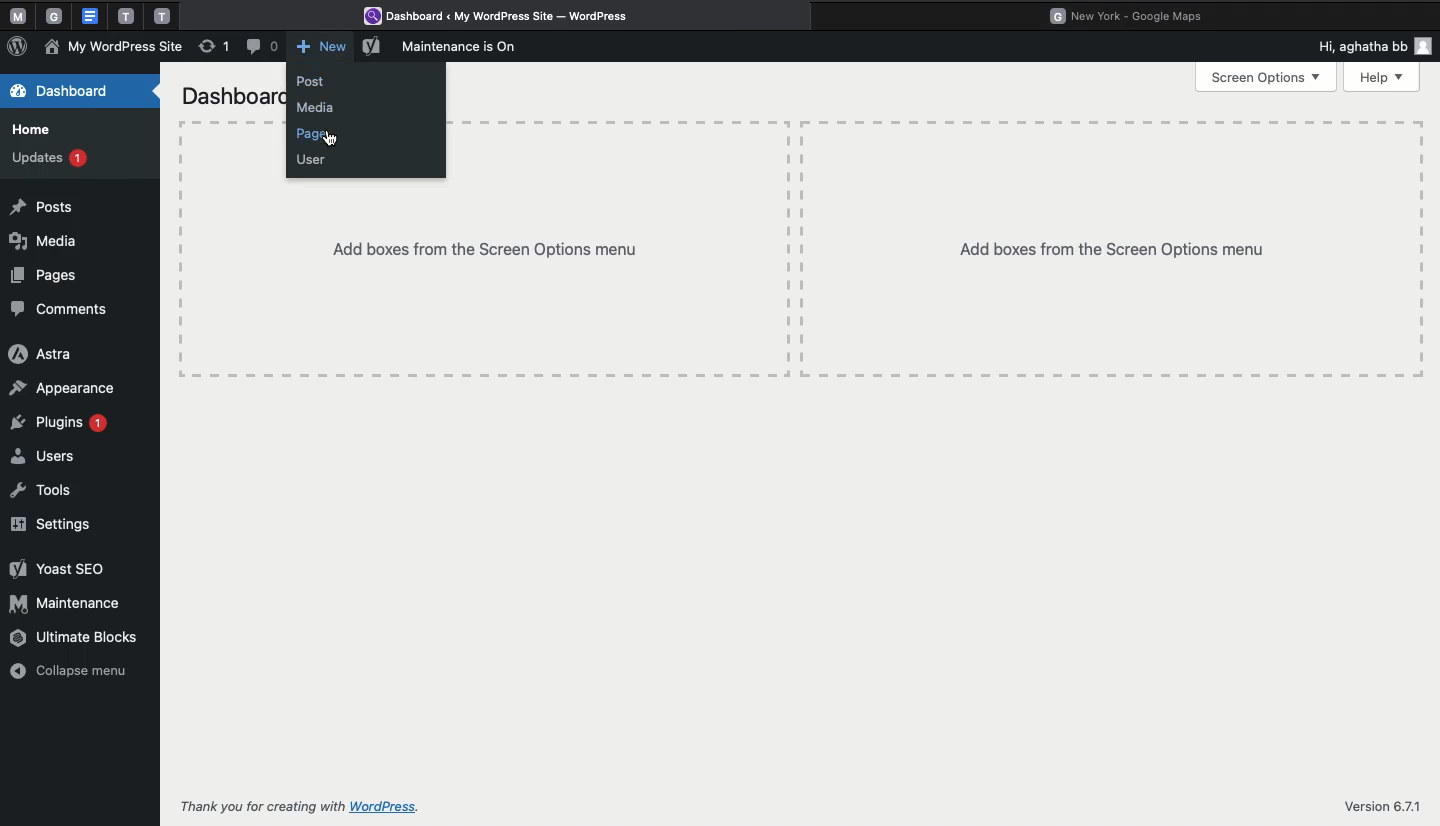 This screenshot has width=1440, height=826. Describe the element at coordinates (76, 636) in the screenshot. I see `Ultimate blocks` at that location.